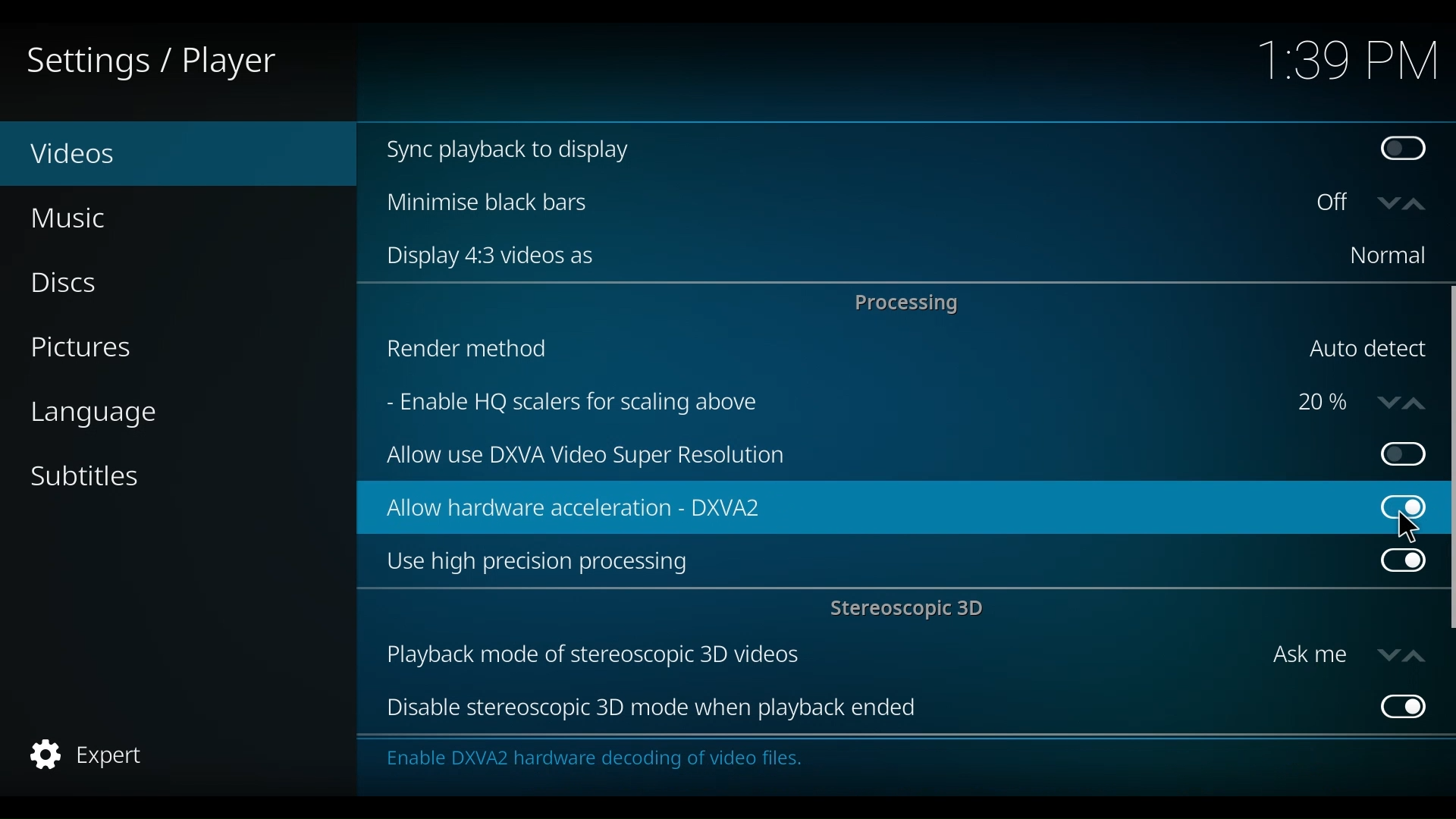  What do you see at coordinates (1391, 497) in the screenshot?
I see `Toggle on/off Allow hardware acceleration` at bounding box center [1391, 497].